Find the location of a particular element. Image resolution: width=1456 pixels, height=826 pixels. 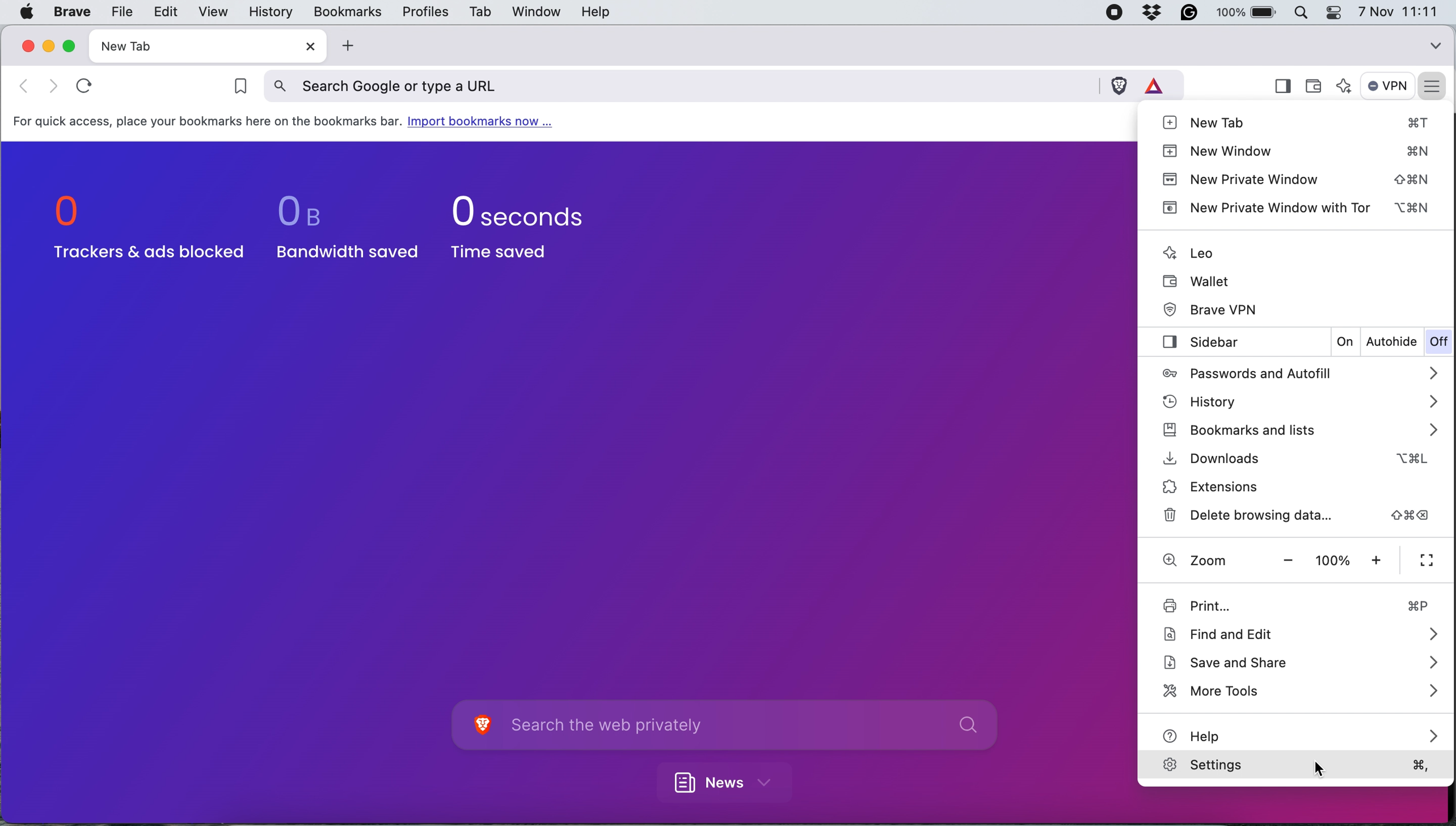

extensions is located at coordinates (1249, 486).